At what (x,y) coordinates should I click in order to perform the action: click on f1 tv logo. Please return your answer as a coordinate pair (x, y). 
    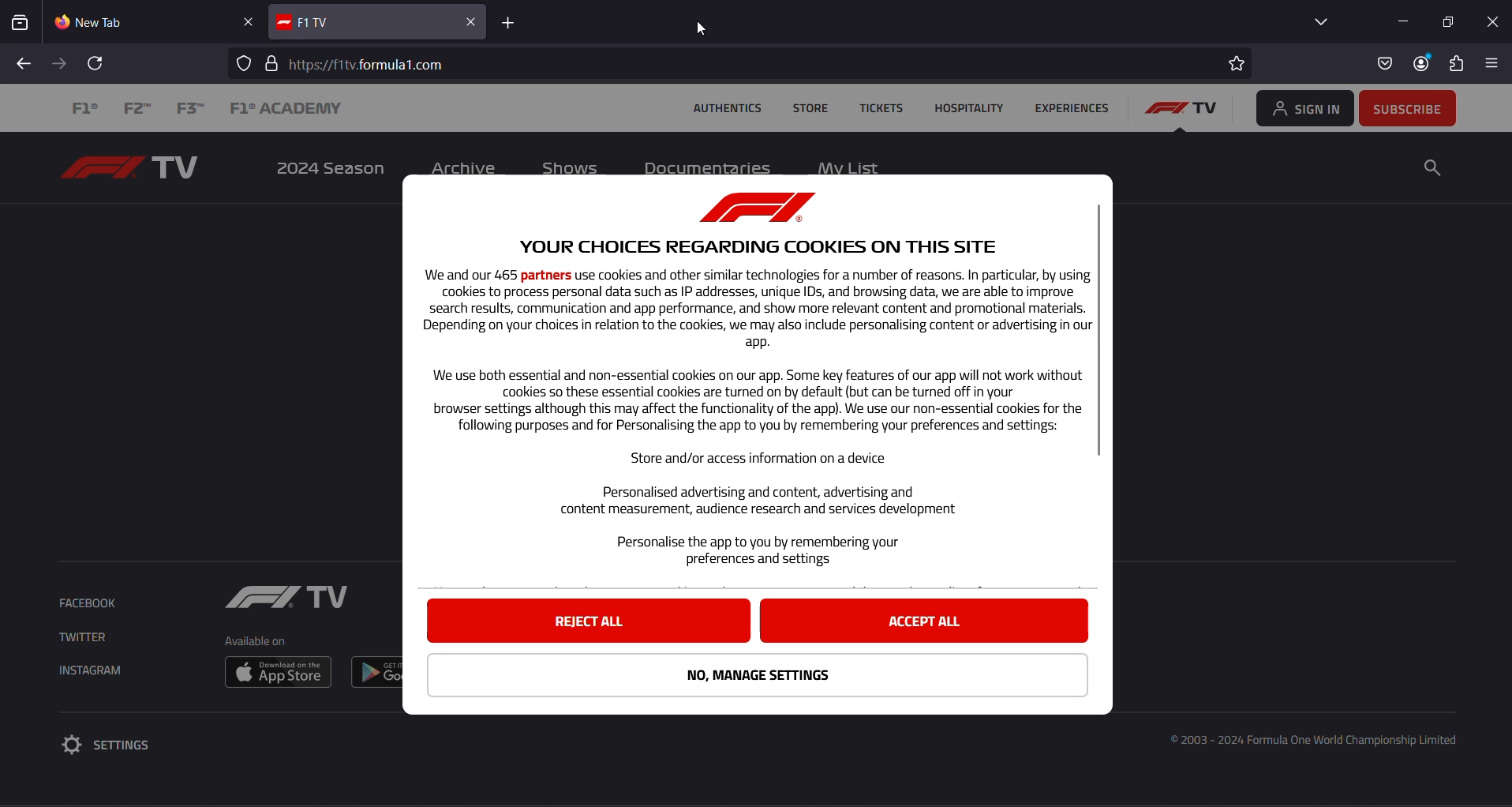
    Looking at the image, I should click on (1185, 111).